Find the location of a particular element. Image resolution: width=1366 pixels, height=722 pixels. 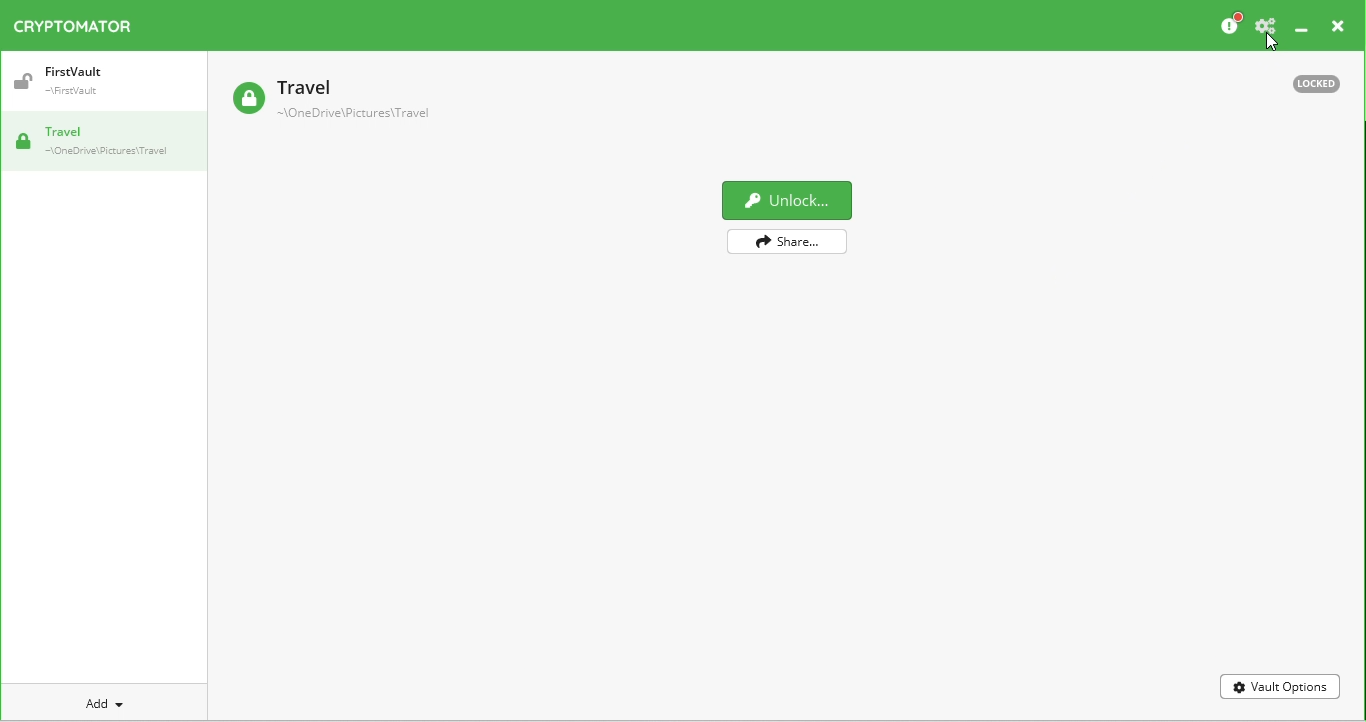

Travel is located at coordinates (338, 100).